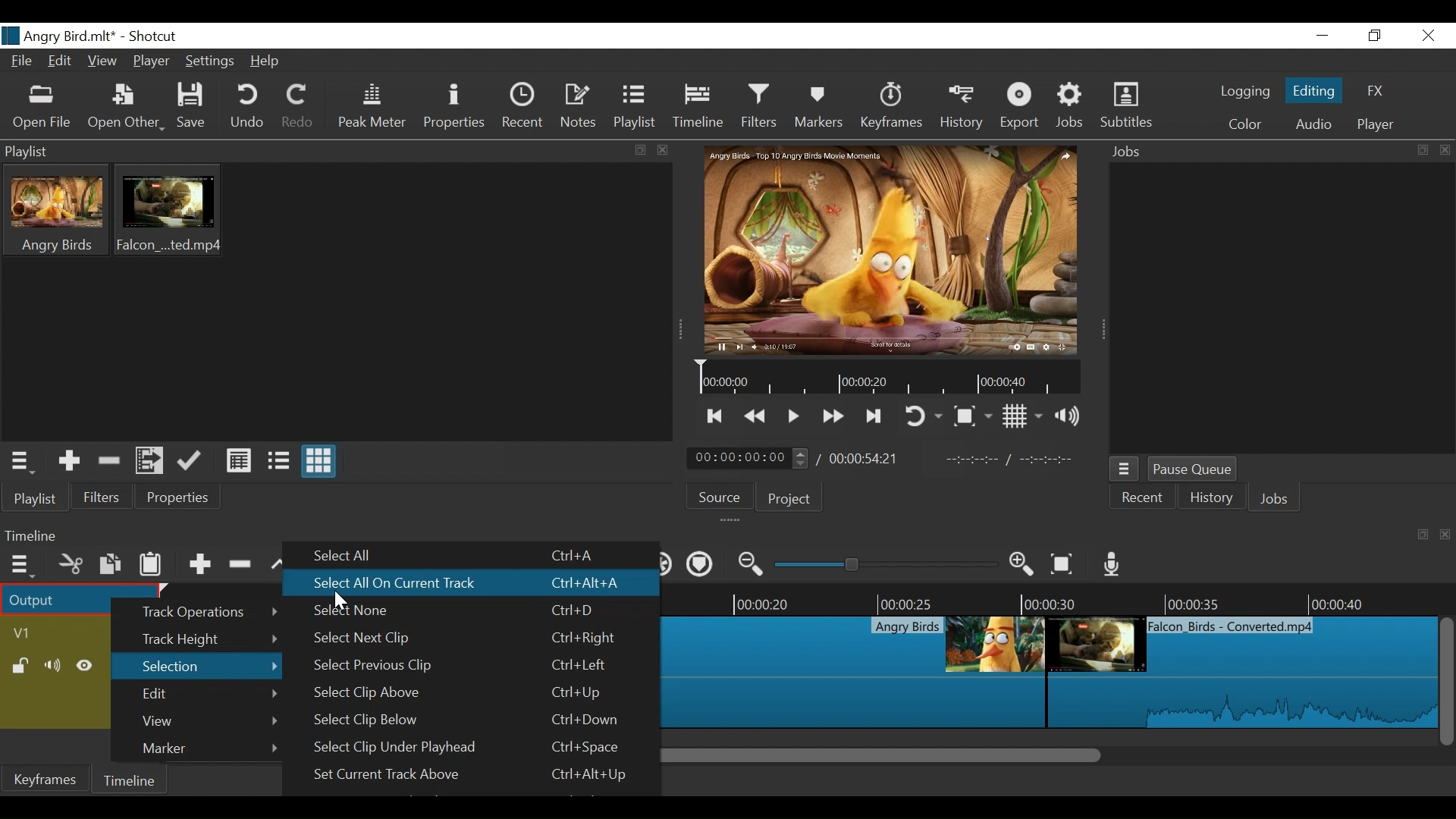 This screenshot has width=1456, height=819. Describe the element at coordinates (1071, 108) in the screenshot. I see `Jobs` at that location.